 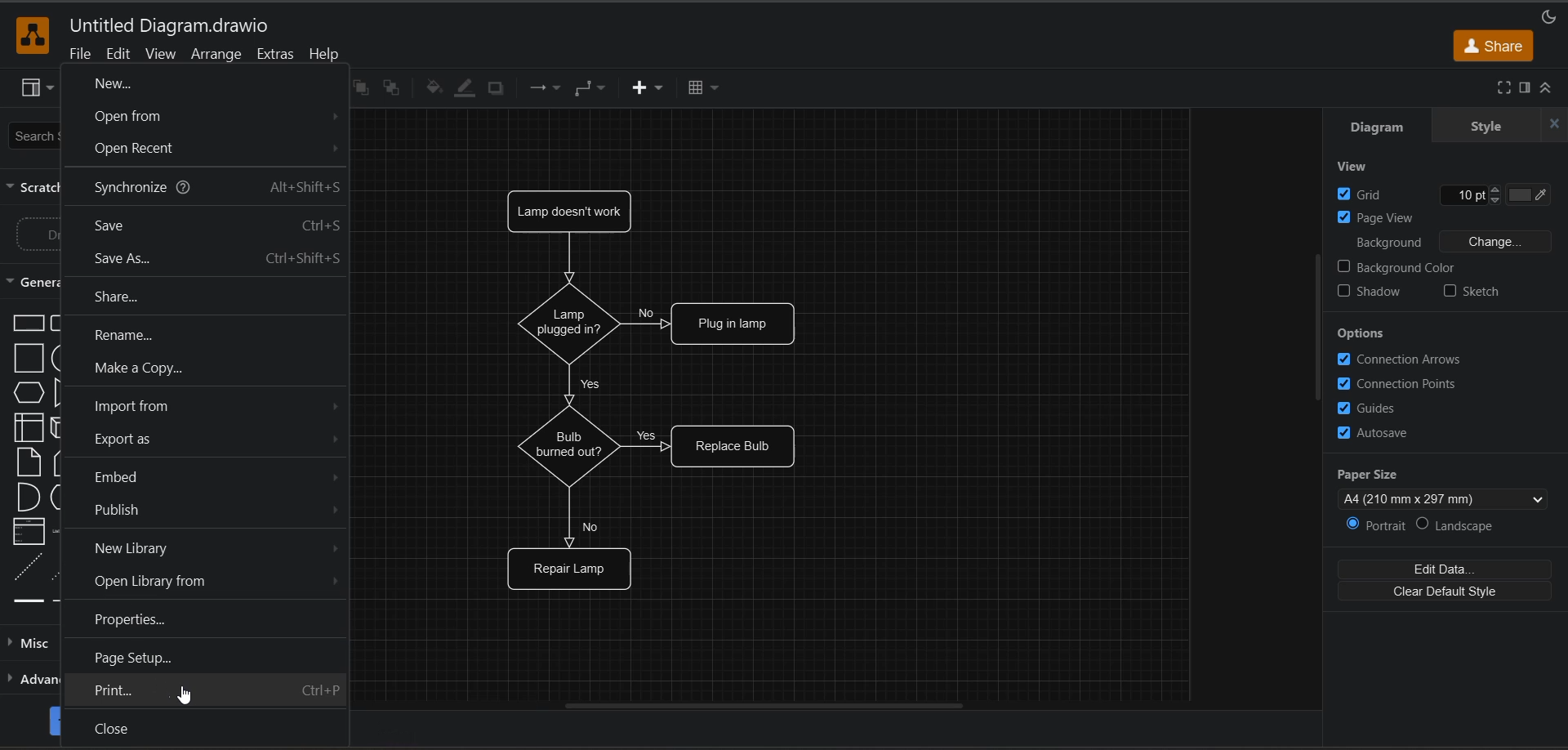 I want to click on table, so click(x=701, y=87).